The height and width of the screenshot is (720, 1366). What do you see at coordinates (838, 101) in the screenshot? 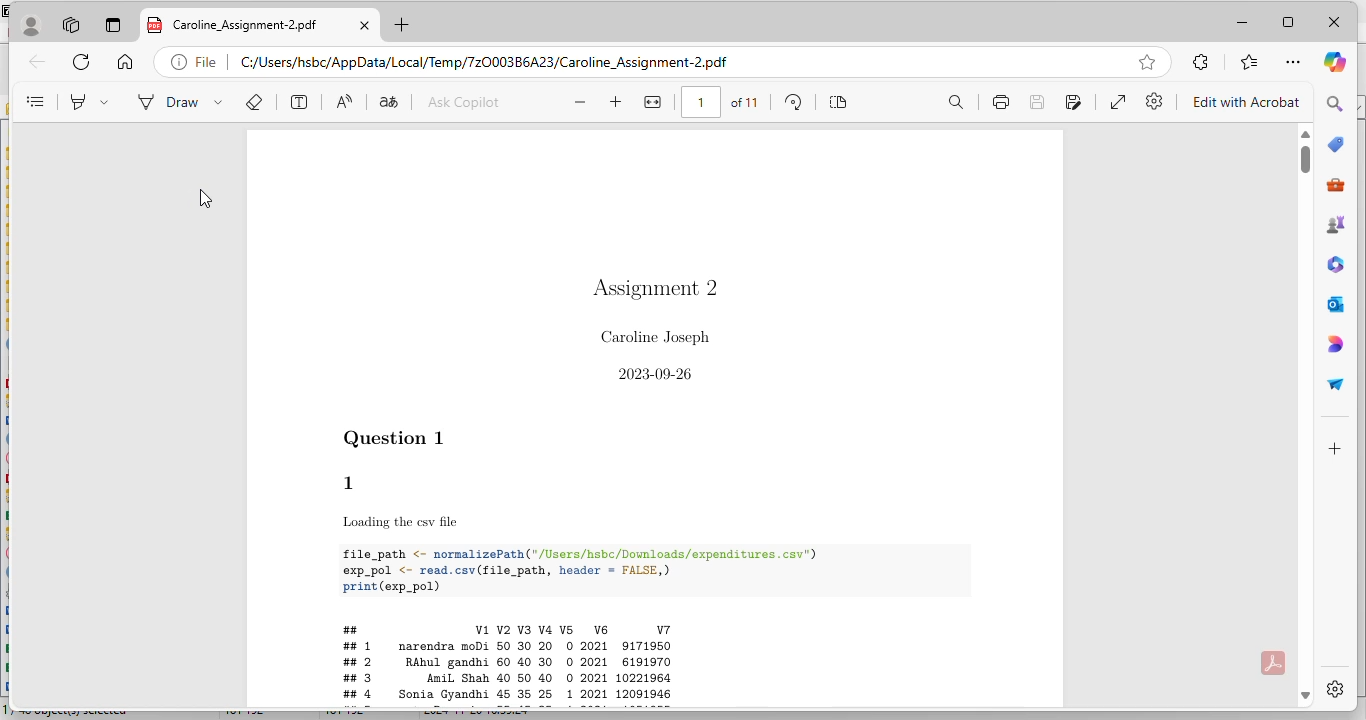
I see `page view` at bounding box center [838, 101].